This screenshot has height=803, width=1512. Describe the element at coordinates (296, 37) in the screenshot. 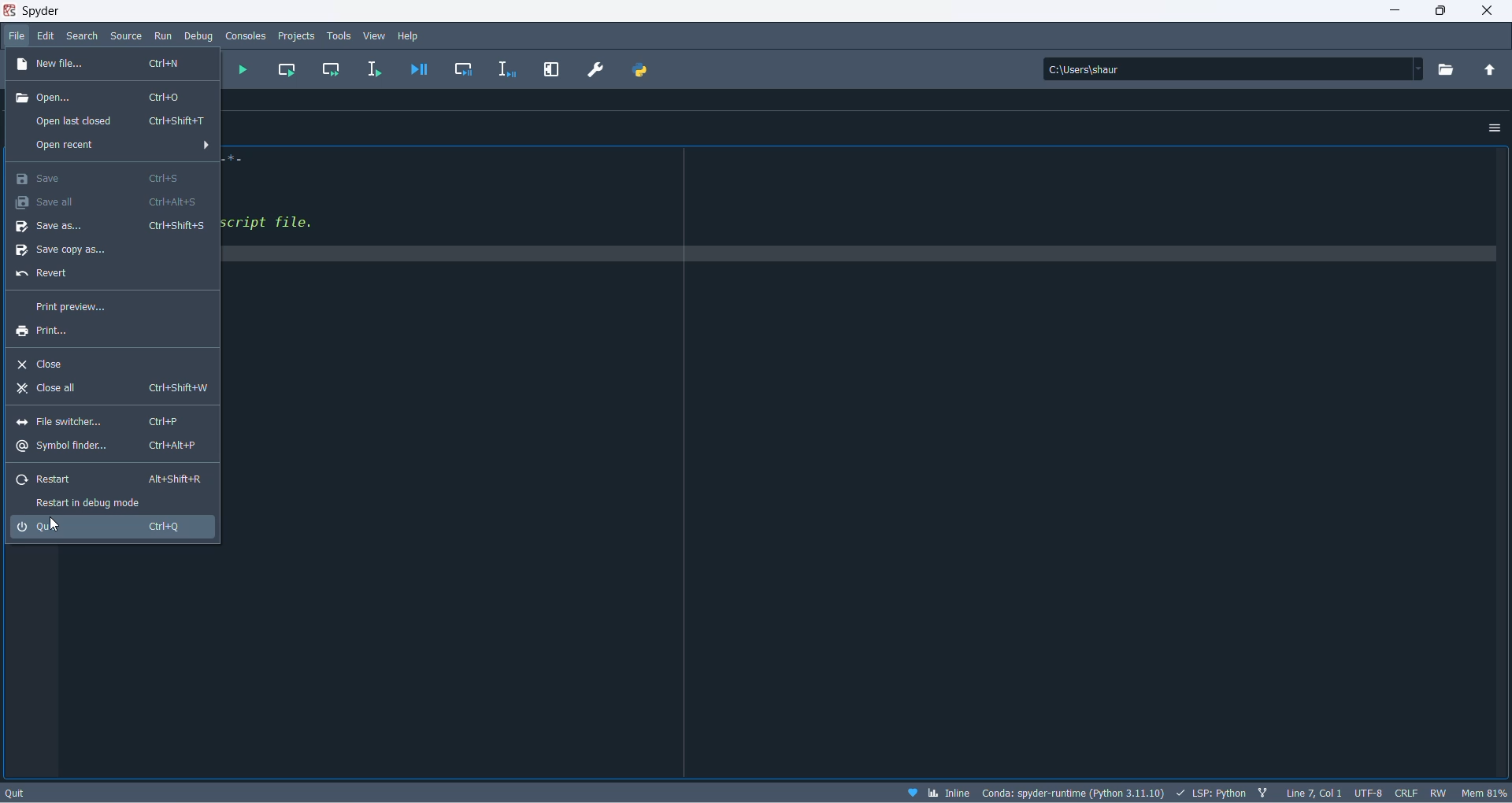

I see `projects` at that location.